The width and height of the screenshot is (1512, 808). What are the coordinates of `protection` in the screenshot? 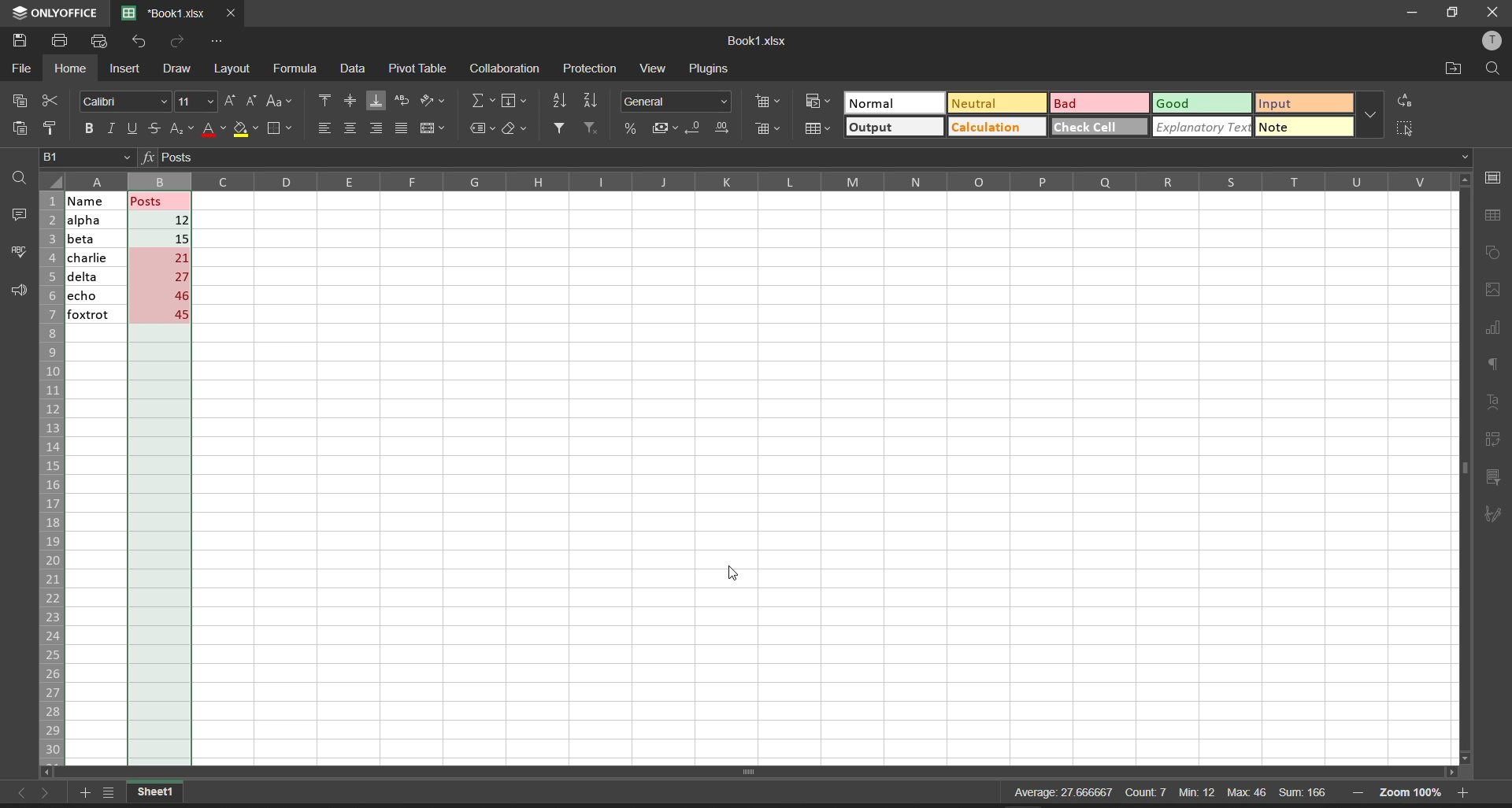 It's located at (591, 68).